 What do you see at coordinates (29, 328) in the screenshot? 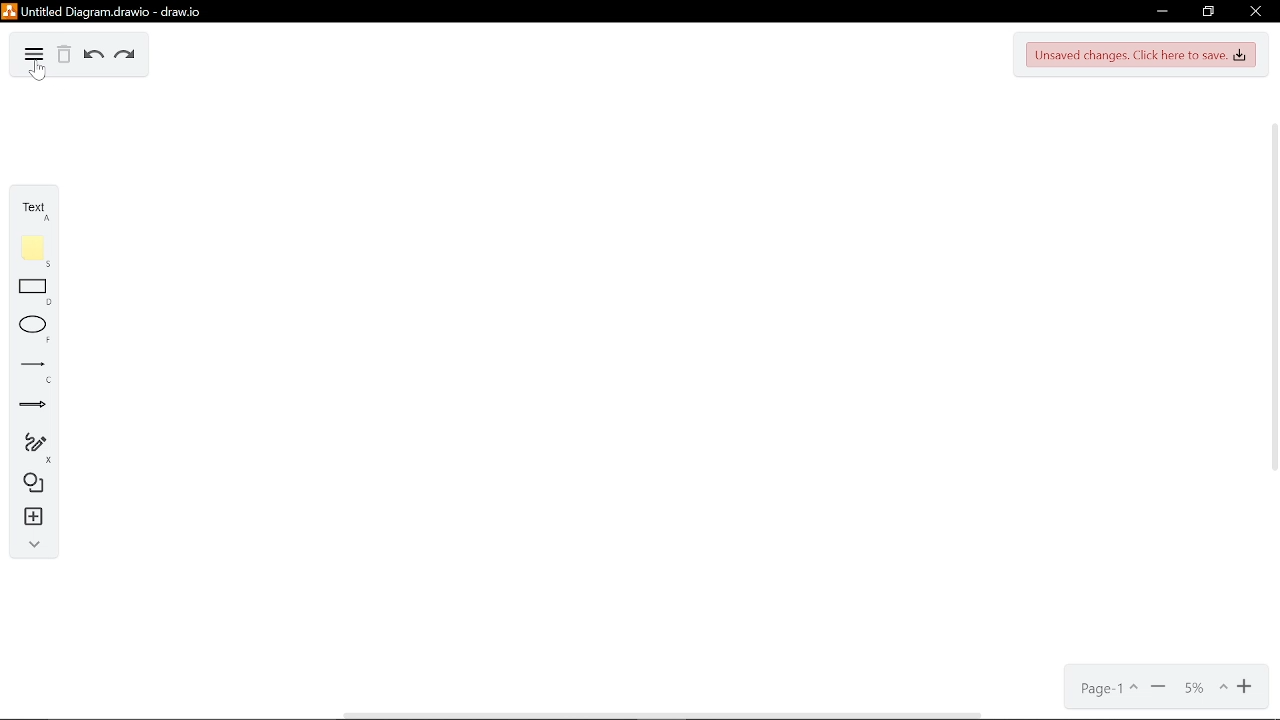
I see `Ellipse` at bounding box center [29, 328].